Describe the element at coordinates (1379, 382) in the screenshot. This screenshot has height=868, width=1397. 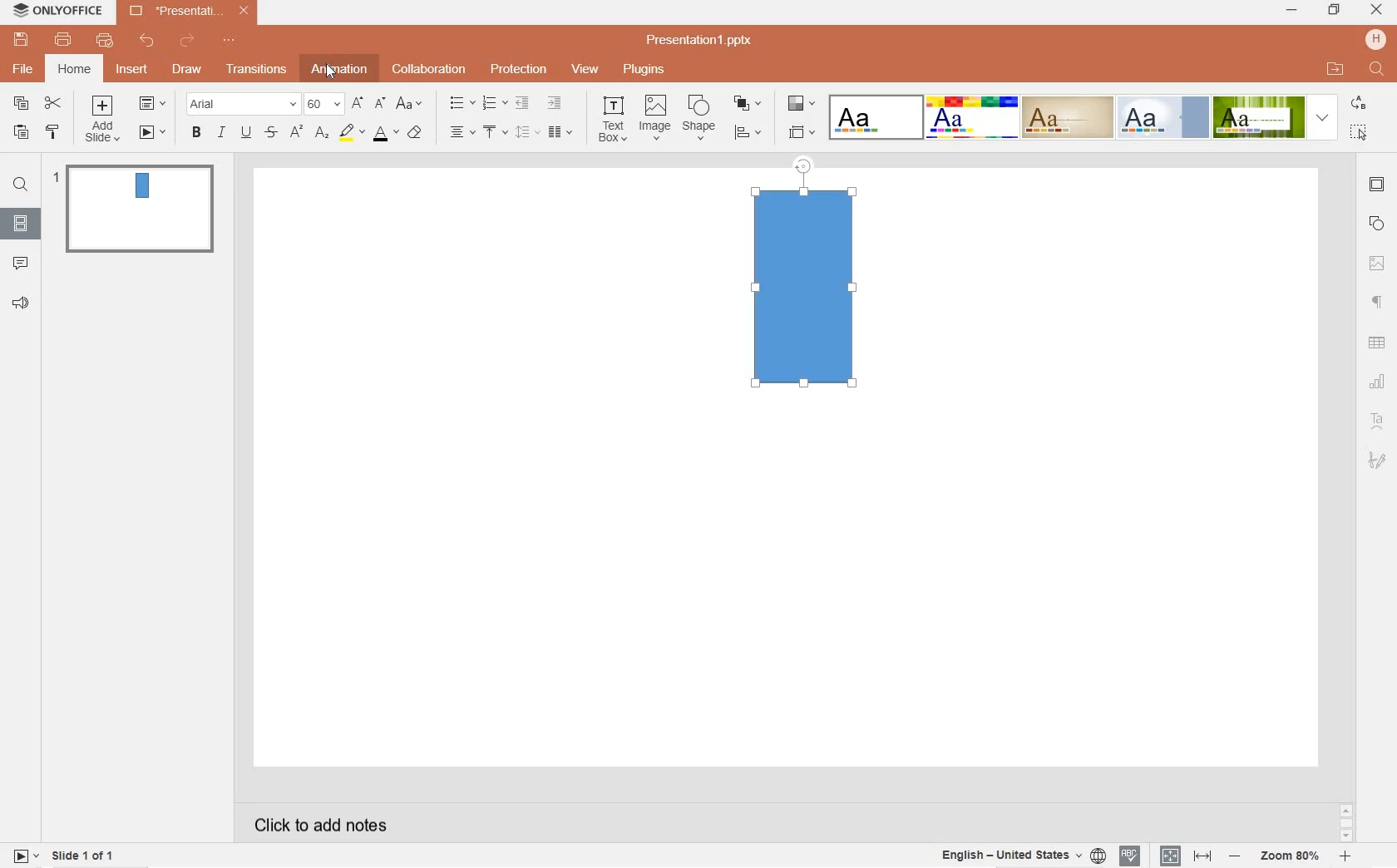
I see `chart settings` at that location.